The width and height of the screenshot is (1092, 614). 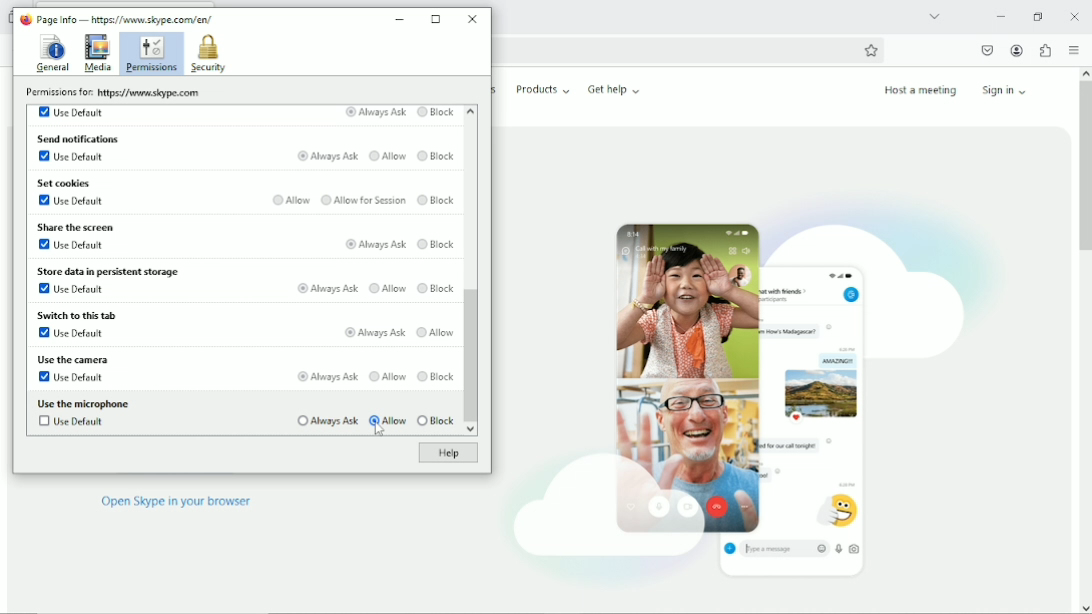 What do you see at coordinates (437, 201) in the screenshot?
I see `Block` at bounding box center [437, 201].